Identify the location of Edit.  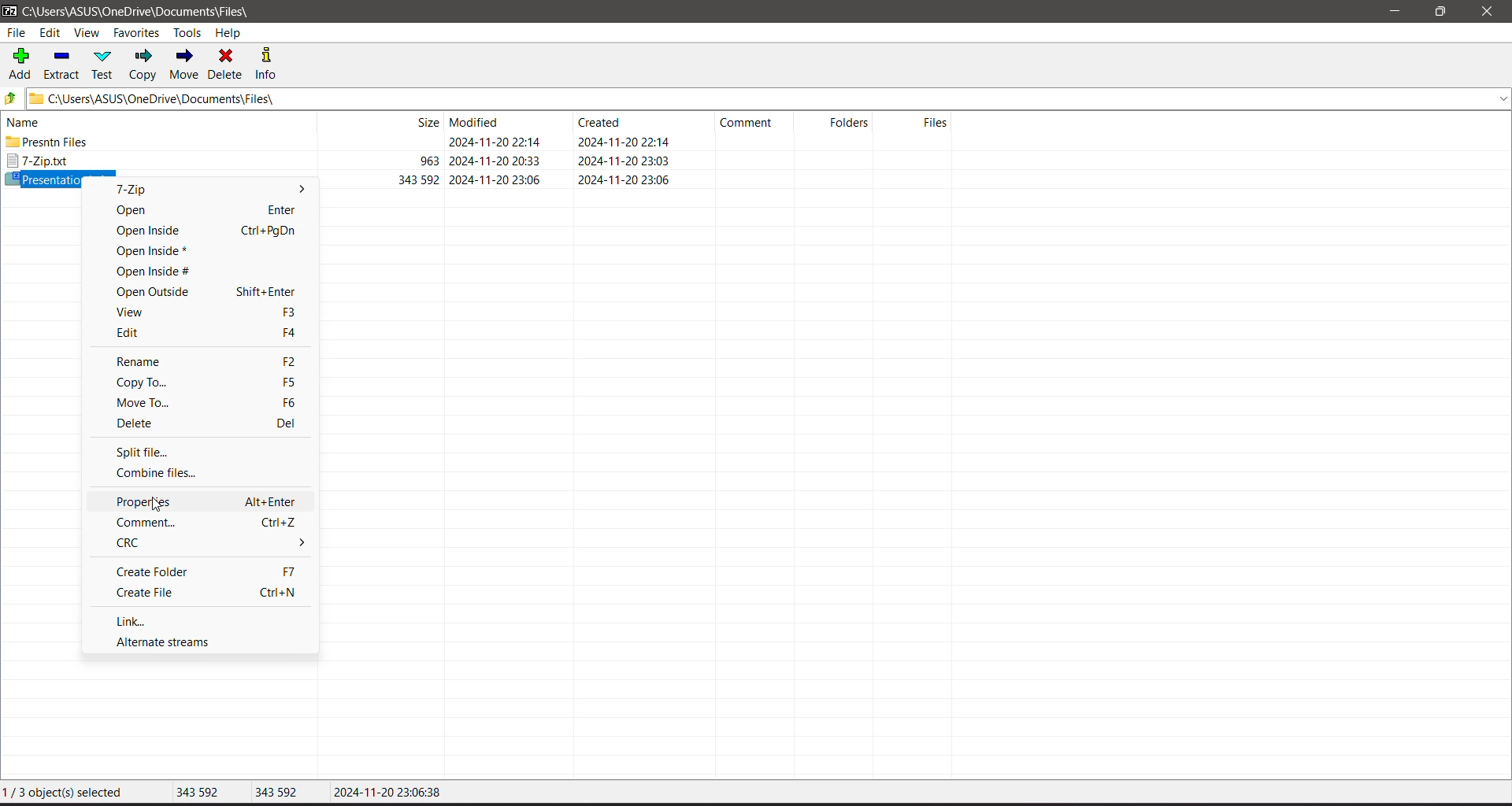
(52, 34).